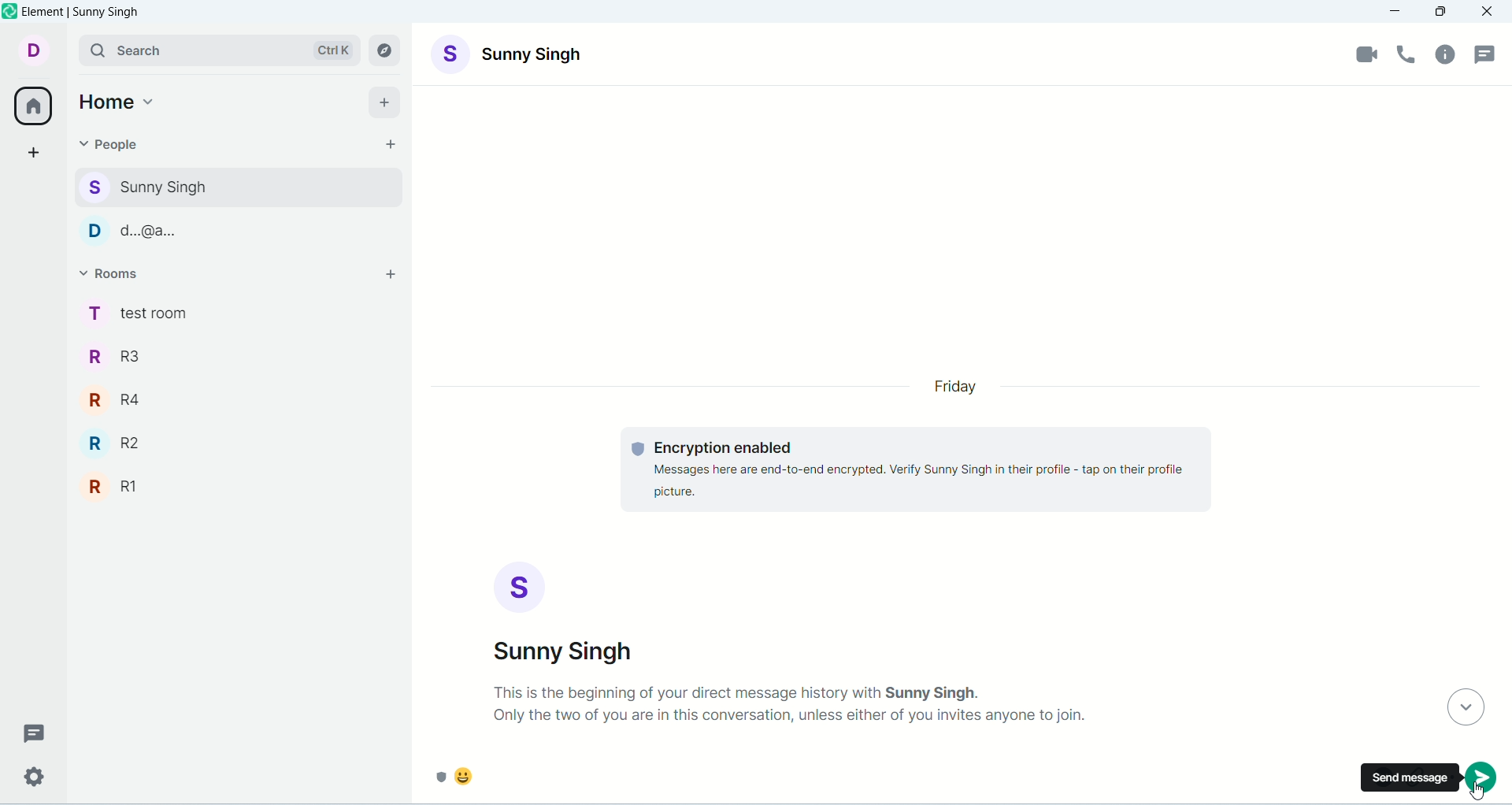 The height and width of the screenshot is (805, 1512). I want to click on settings, so click(31, 779).